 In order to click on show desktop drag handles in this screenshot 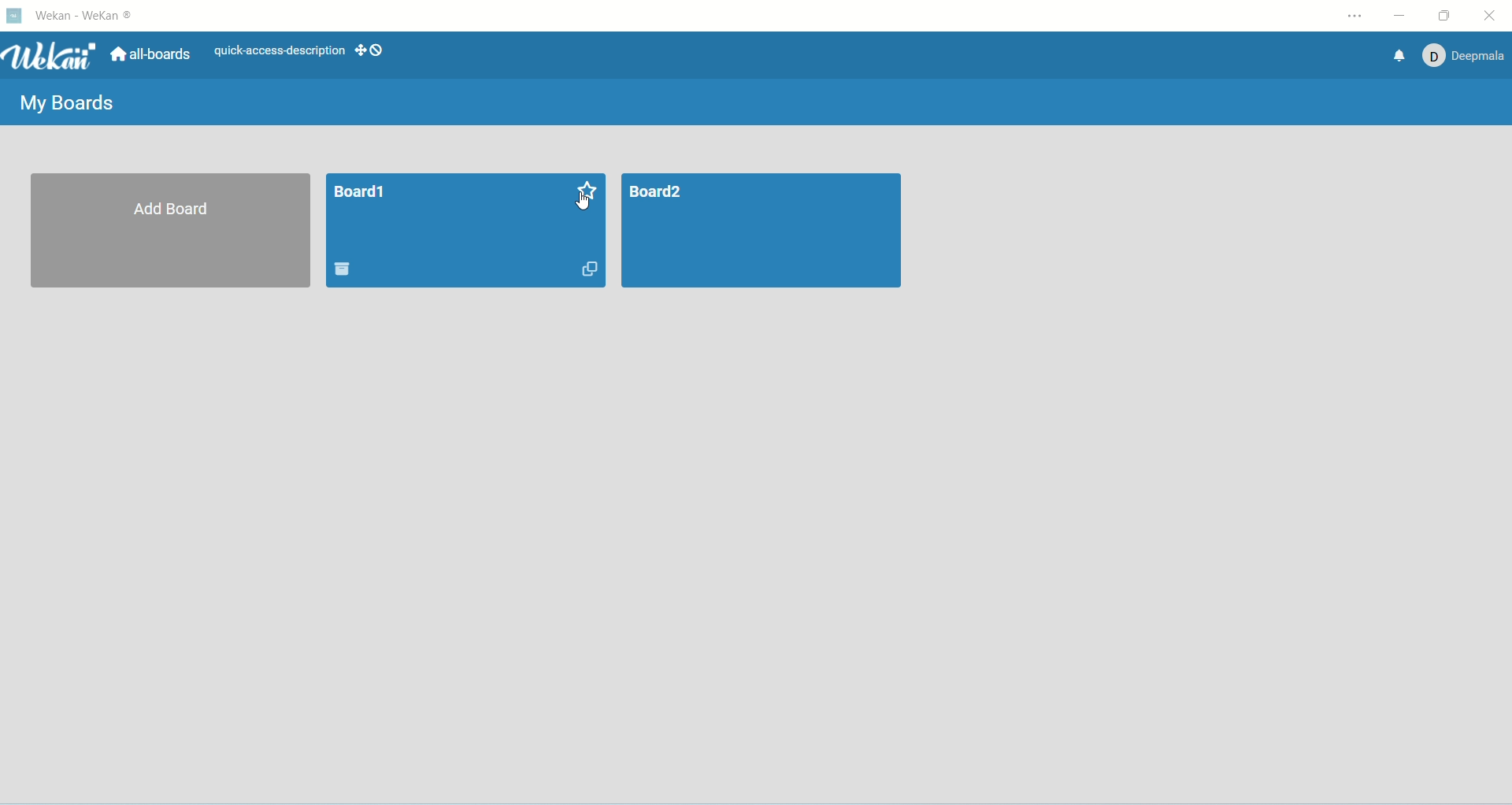, I will do `click(361, 50)`.